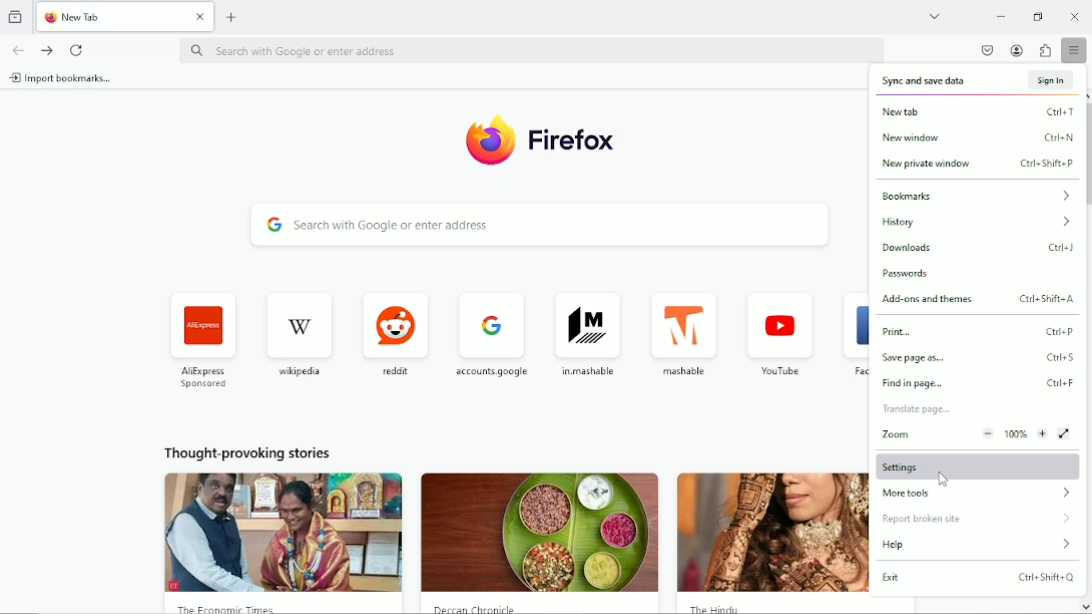  Describe the element at coordinates (981, 384) in the screenshot. I see `find in page` at that location.